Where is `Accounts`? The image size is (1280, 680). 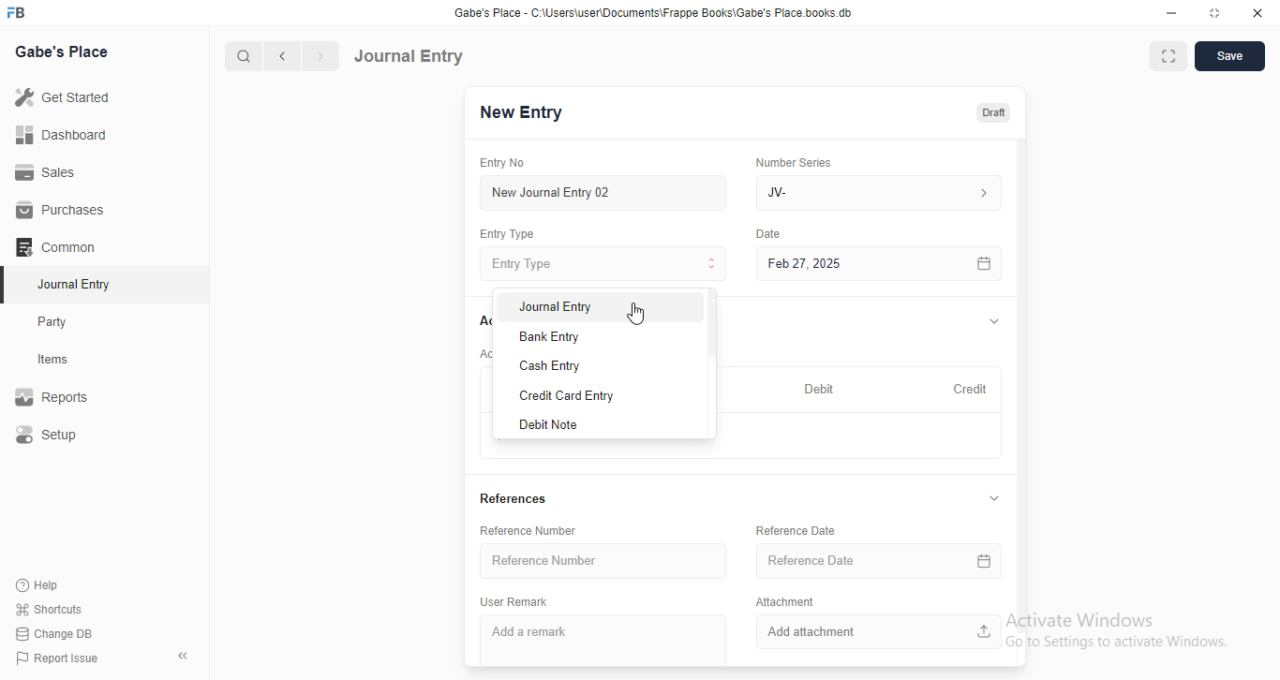
Accounts is located at coordinates (486, 321).